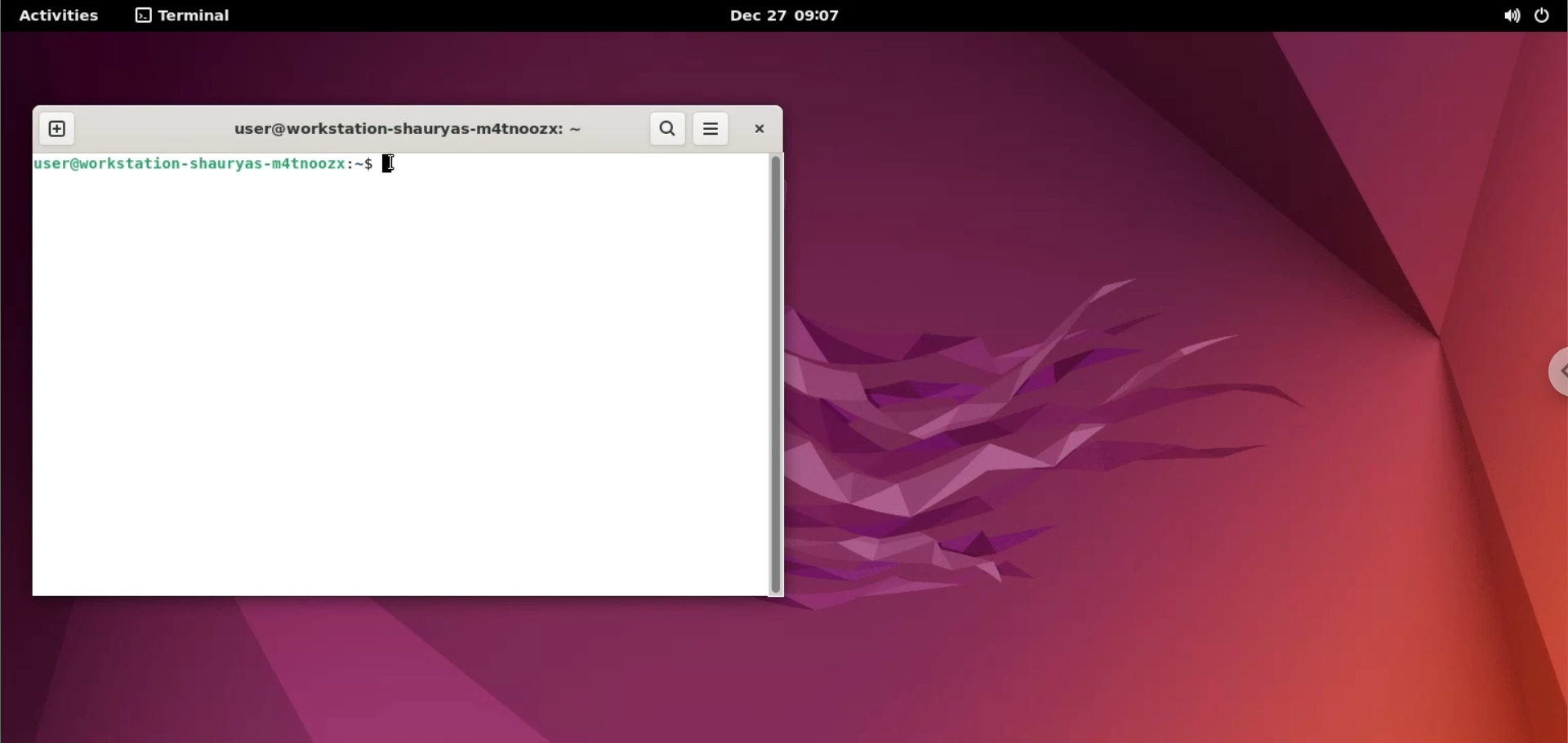 The height and width of the screenshot is (743, 1568). I want to click on Dec 27 09:07, so click(791, 16).